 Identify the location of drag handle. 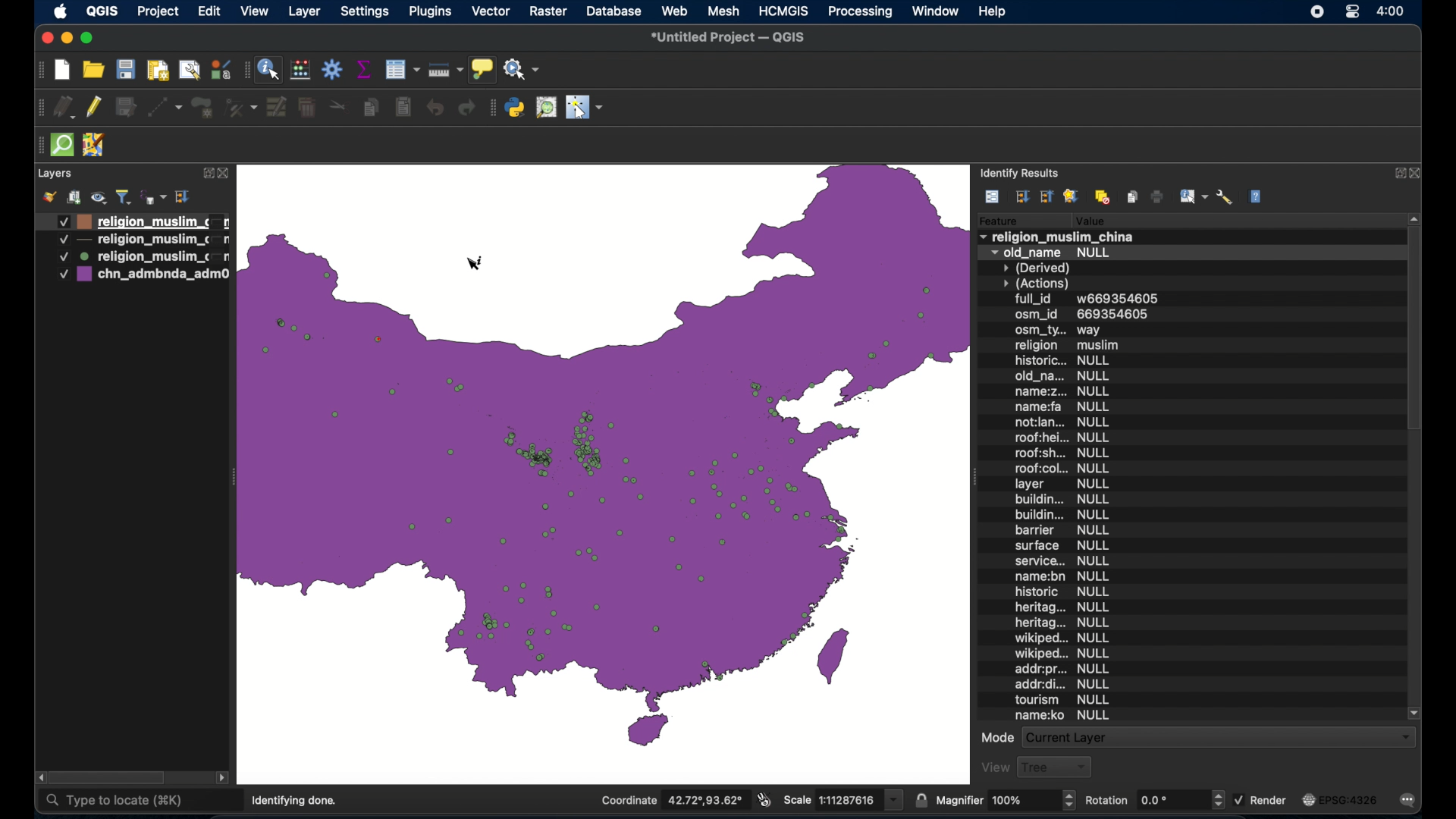
(39, 106).